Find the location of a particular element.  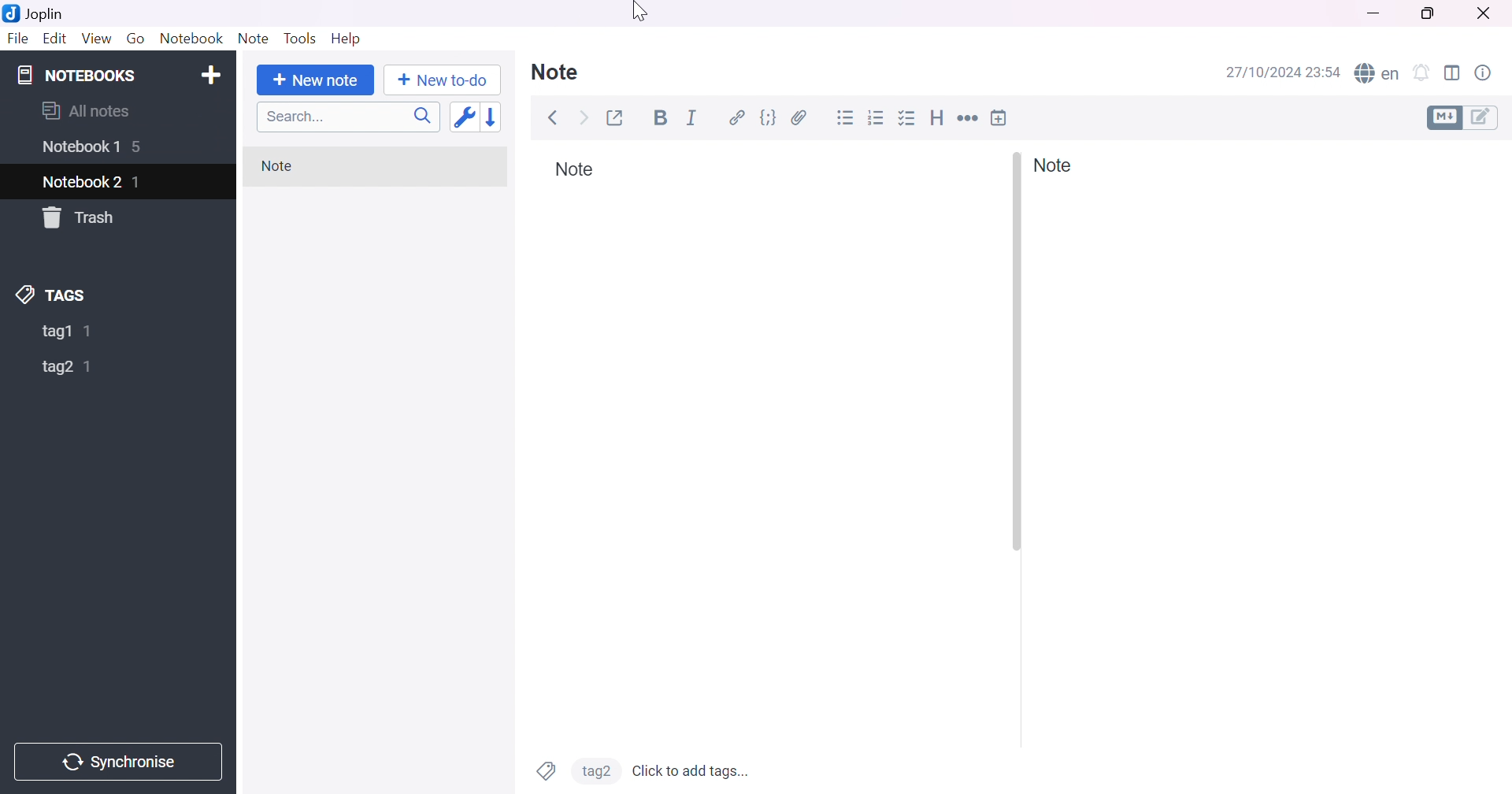

+New to-do is located at coordinates (447, 81).